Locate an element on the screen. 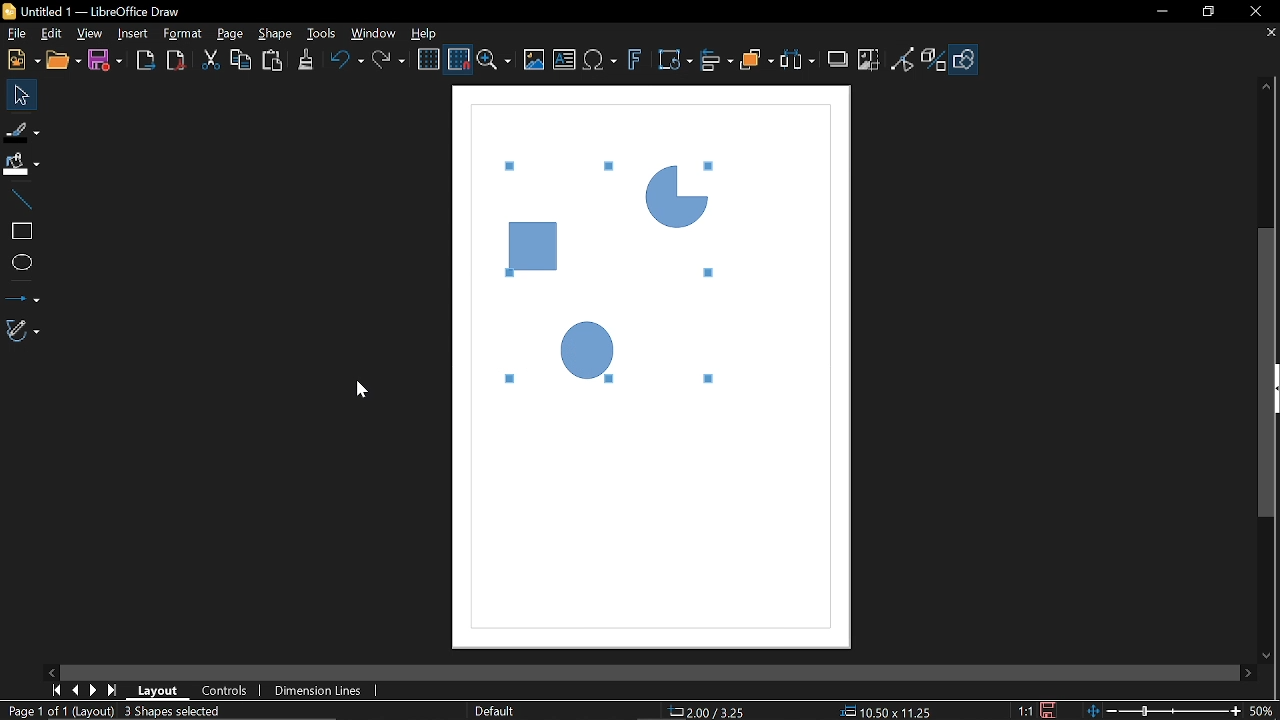 This screenshot has width=1280, height=720. Move left is located at coordinates (53, 672).